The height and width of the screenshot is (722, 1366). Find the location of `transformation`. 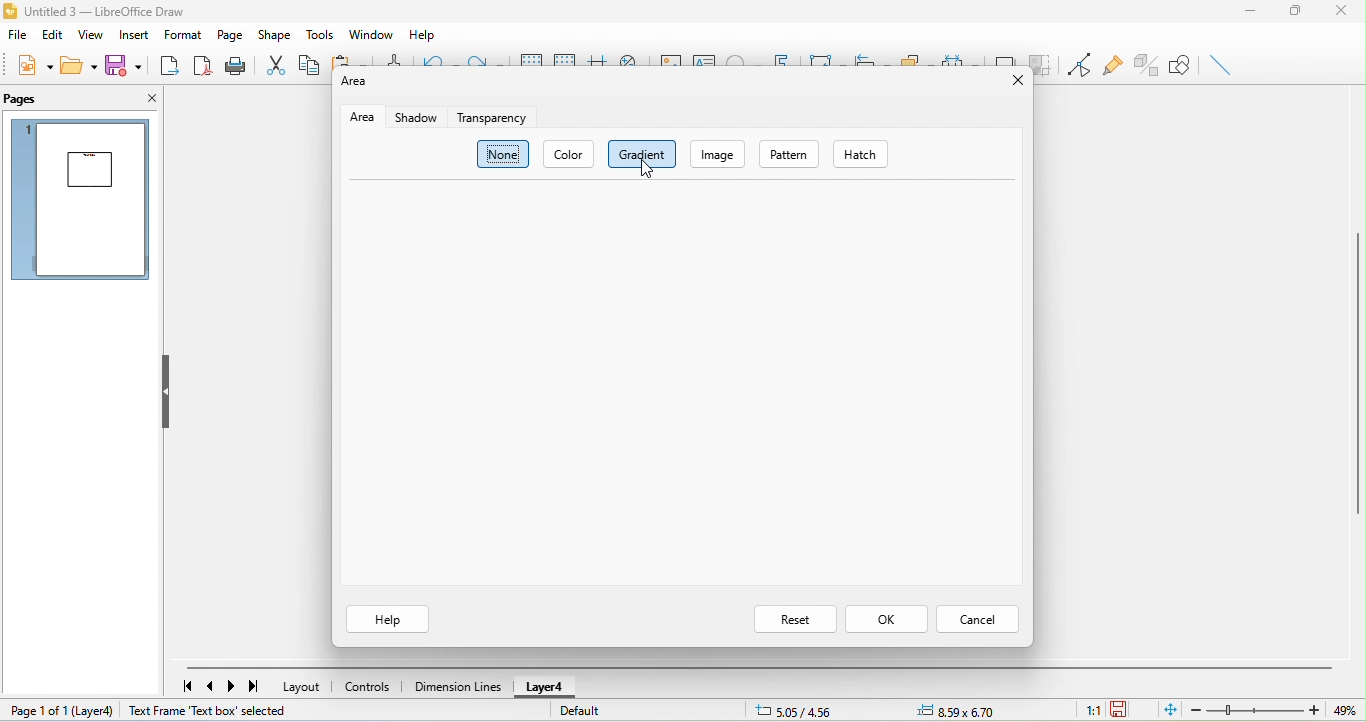

transformation is located at coordinates (821, 56).